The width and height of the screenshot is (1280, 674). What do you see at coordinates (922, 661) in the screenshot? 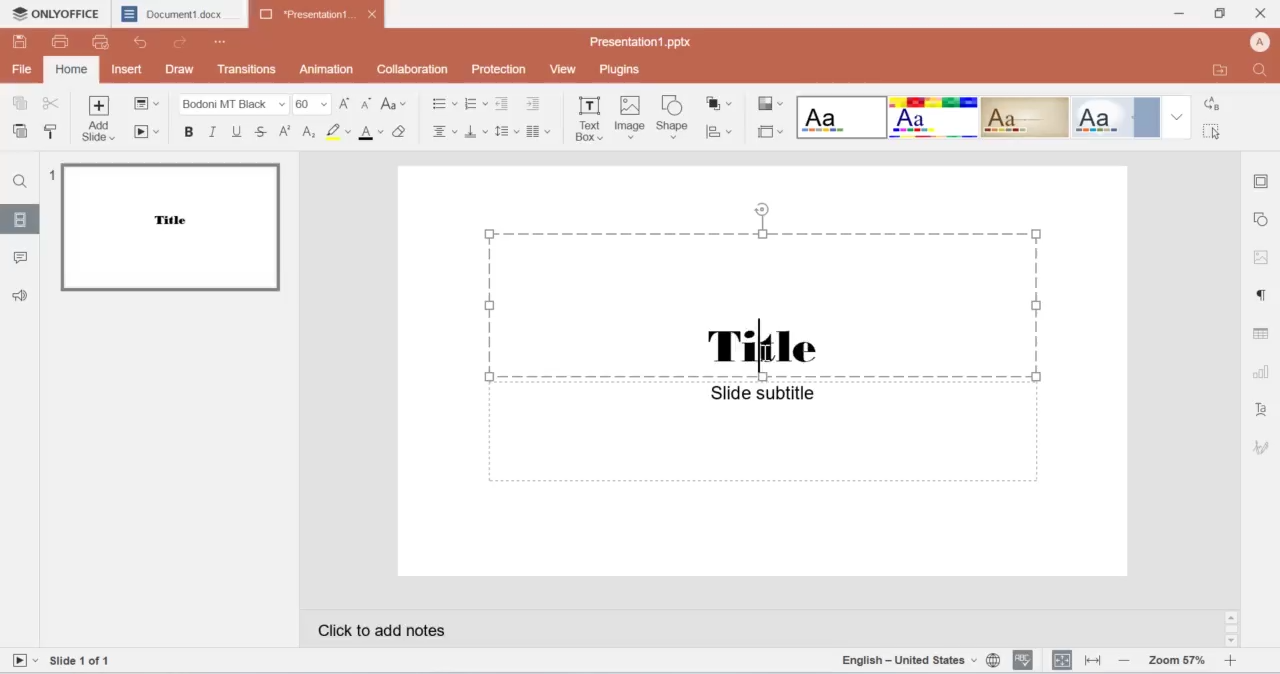
I see `language` at bounding box center [922, 661].